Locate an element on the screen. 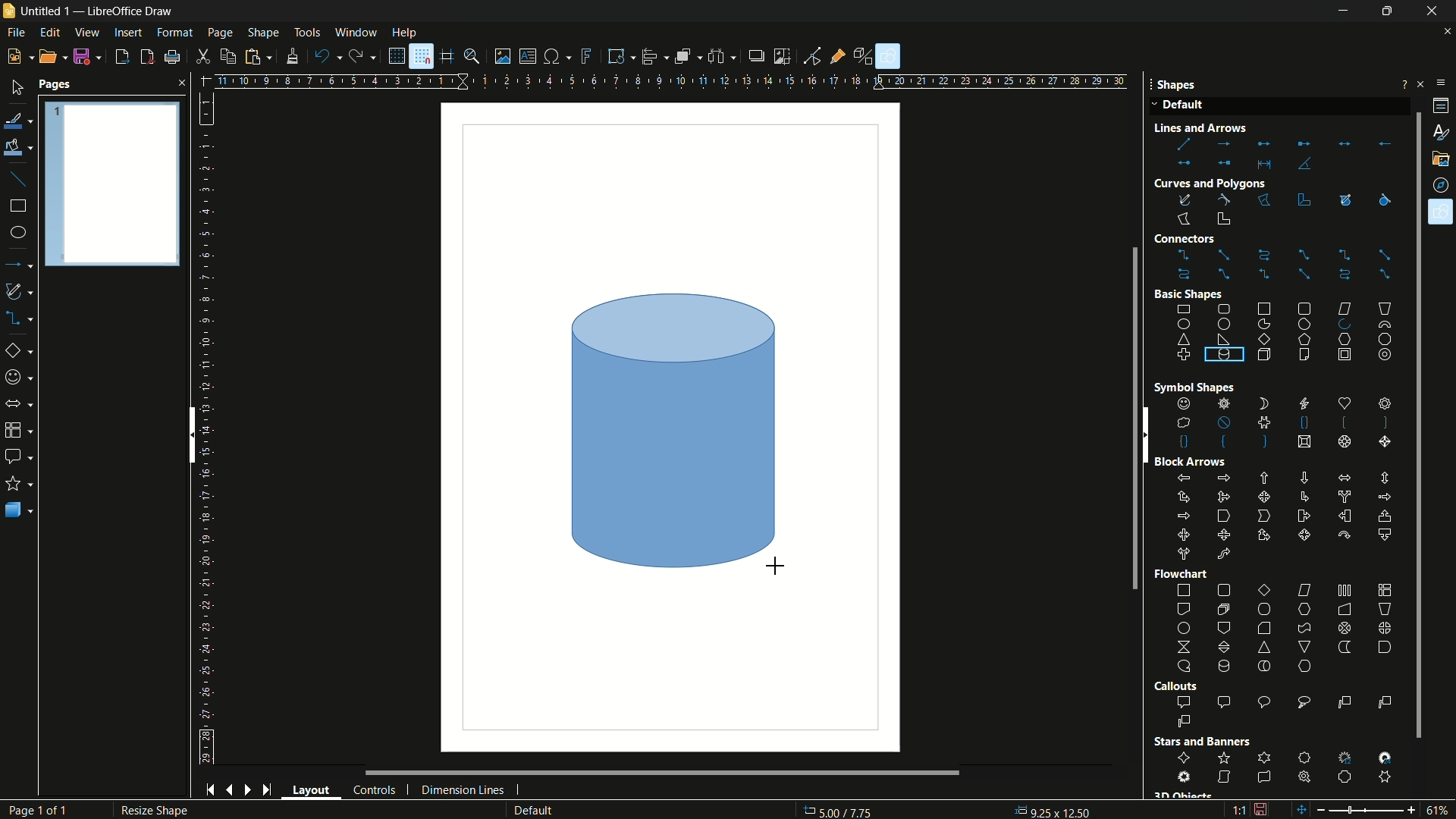 The image size is (1456, 819). previous page is located at coordinates (230, 792).